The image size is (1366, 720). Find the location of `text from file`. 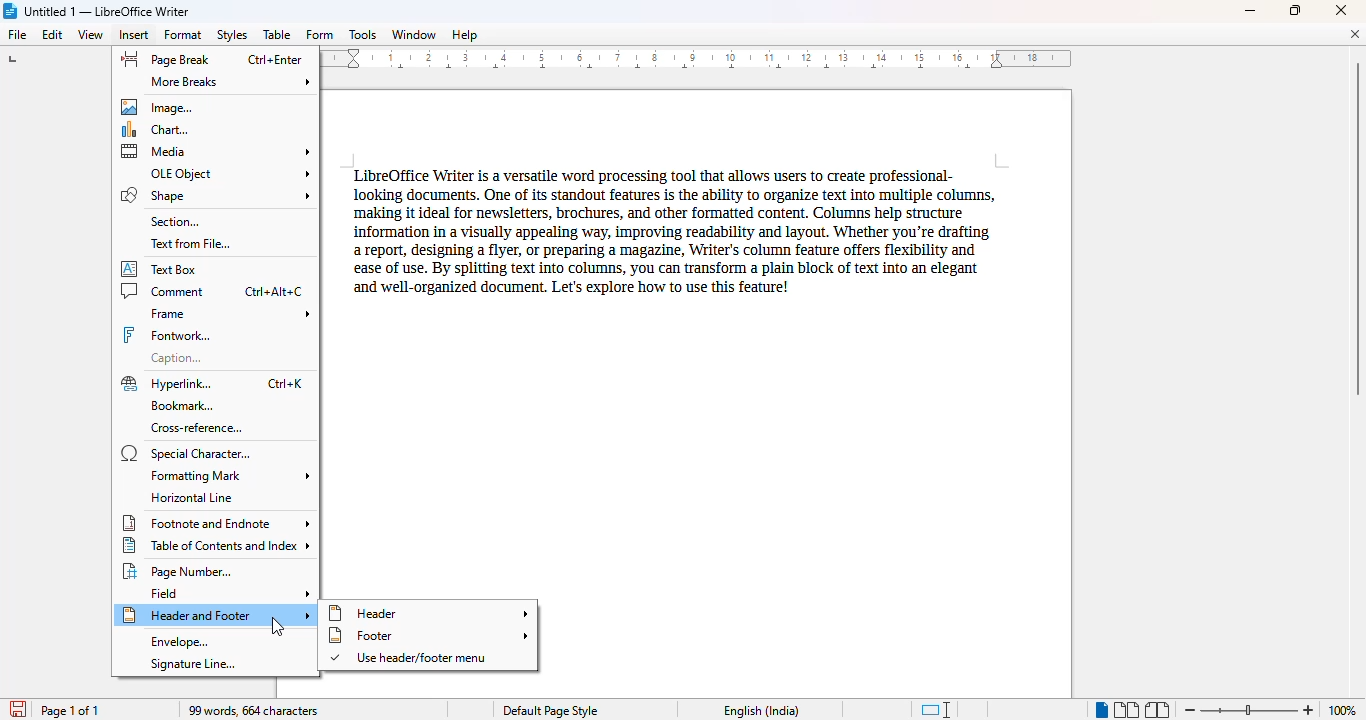

text from file is located at coordinates (190, 244).